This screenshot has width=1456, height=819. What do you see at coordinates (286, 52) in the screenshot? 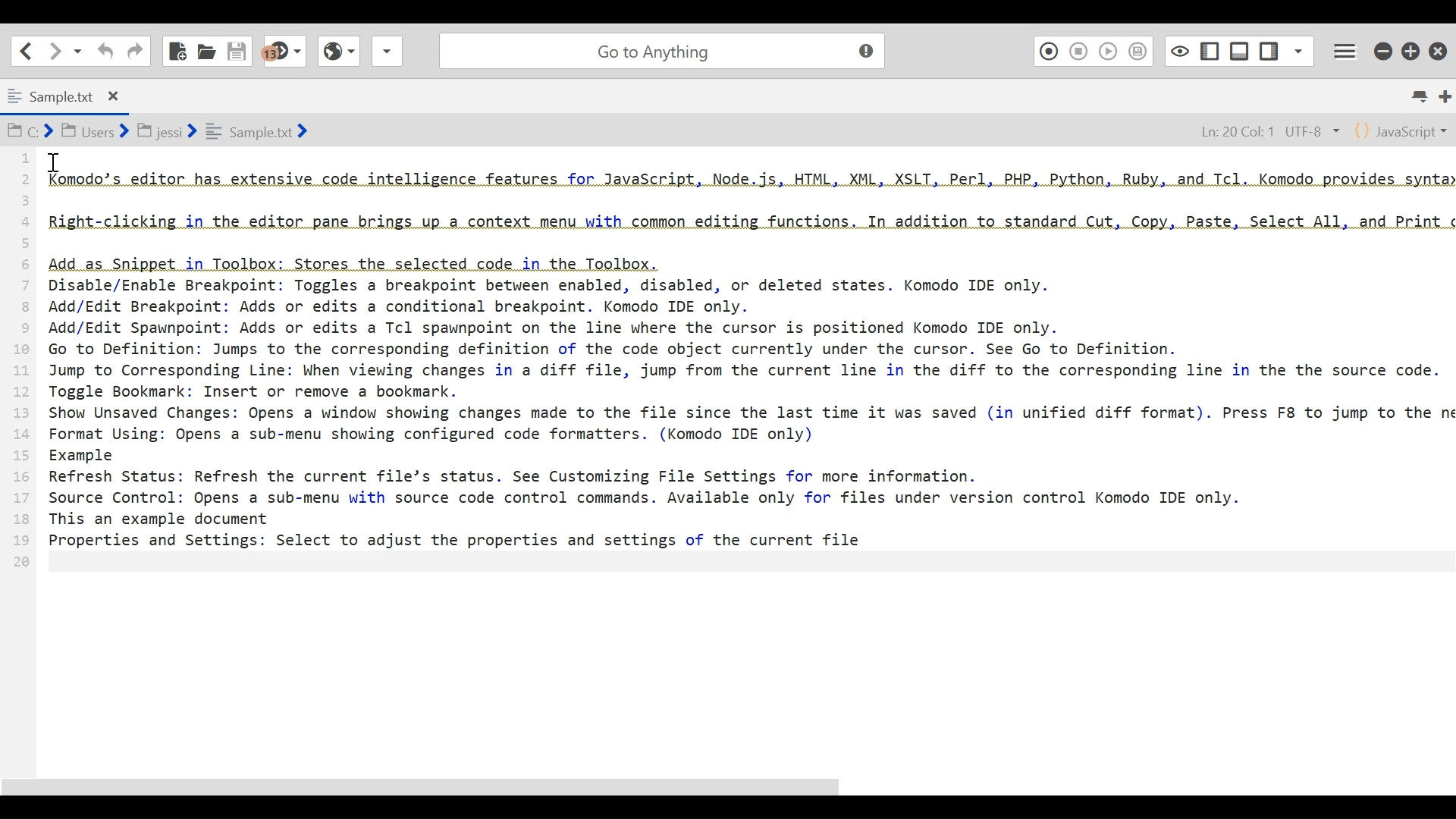
I see `Jump to syntax` at bounding box center [286, 52].